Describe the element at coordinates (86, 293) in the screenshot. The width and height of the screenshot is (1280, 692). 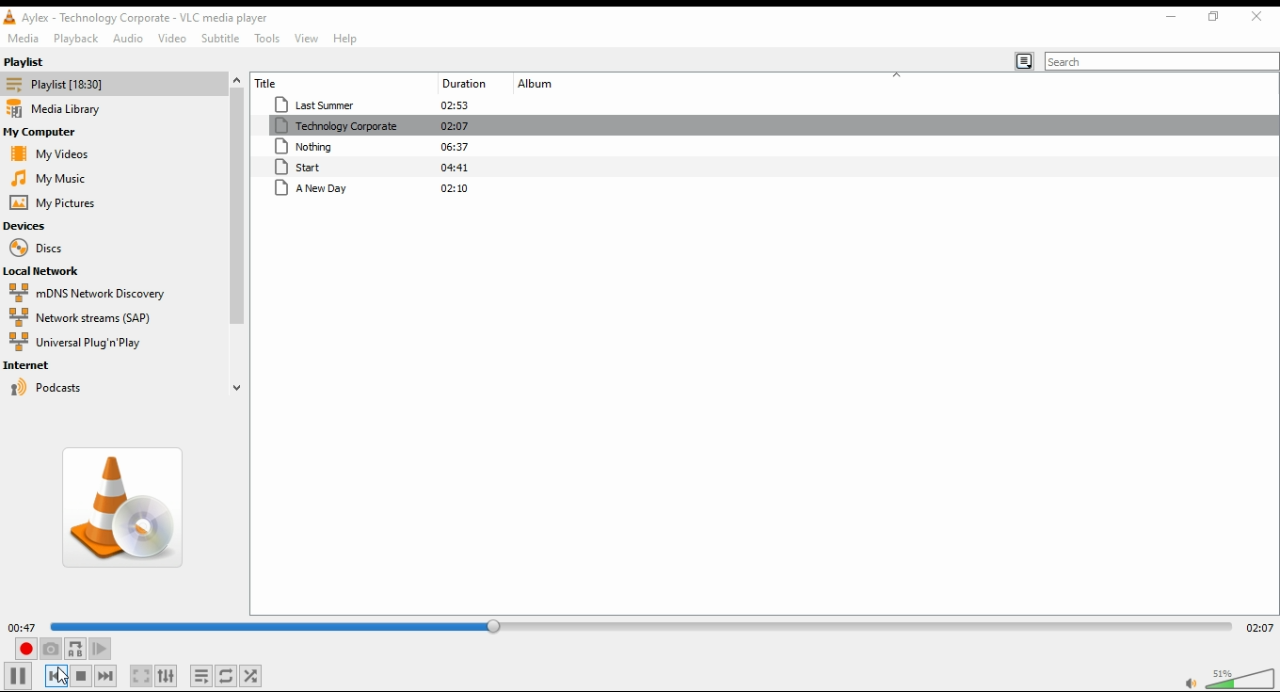
I see `mDNS network discovery` at that location.